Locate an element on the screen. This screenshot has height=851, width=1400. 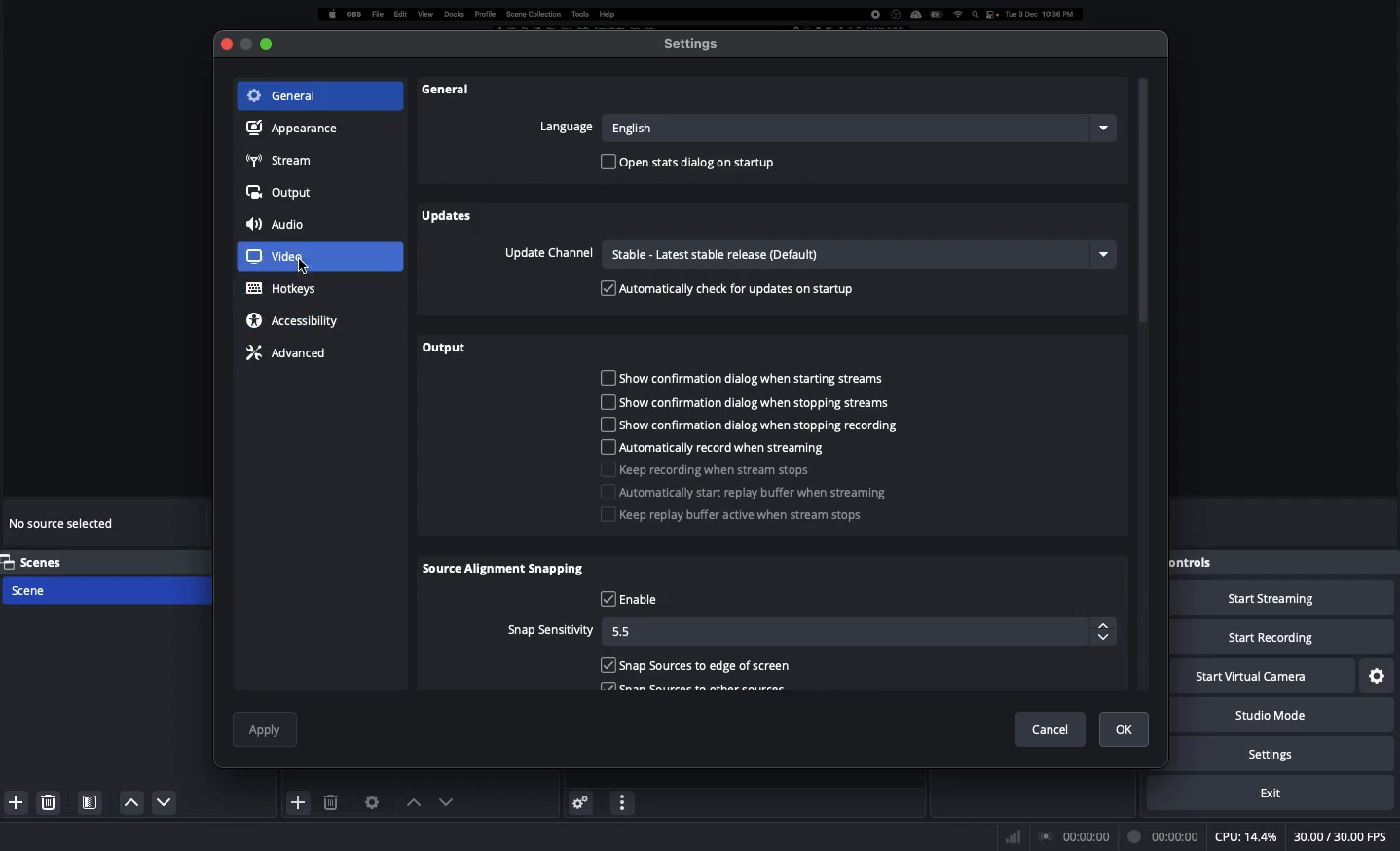
Show confirmation dialog when stopping streams is located at coordinates (757, 402).